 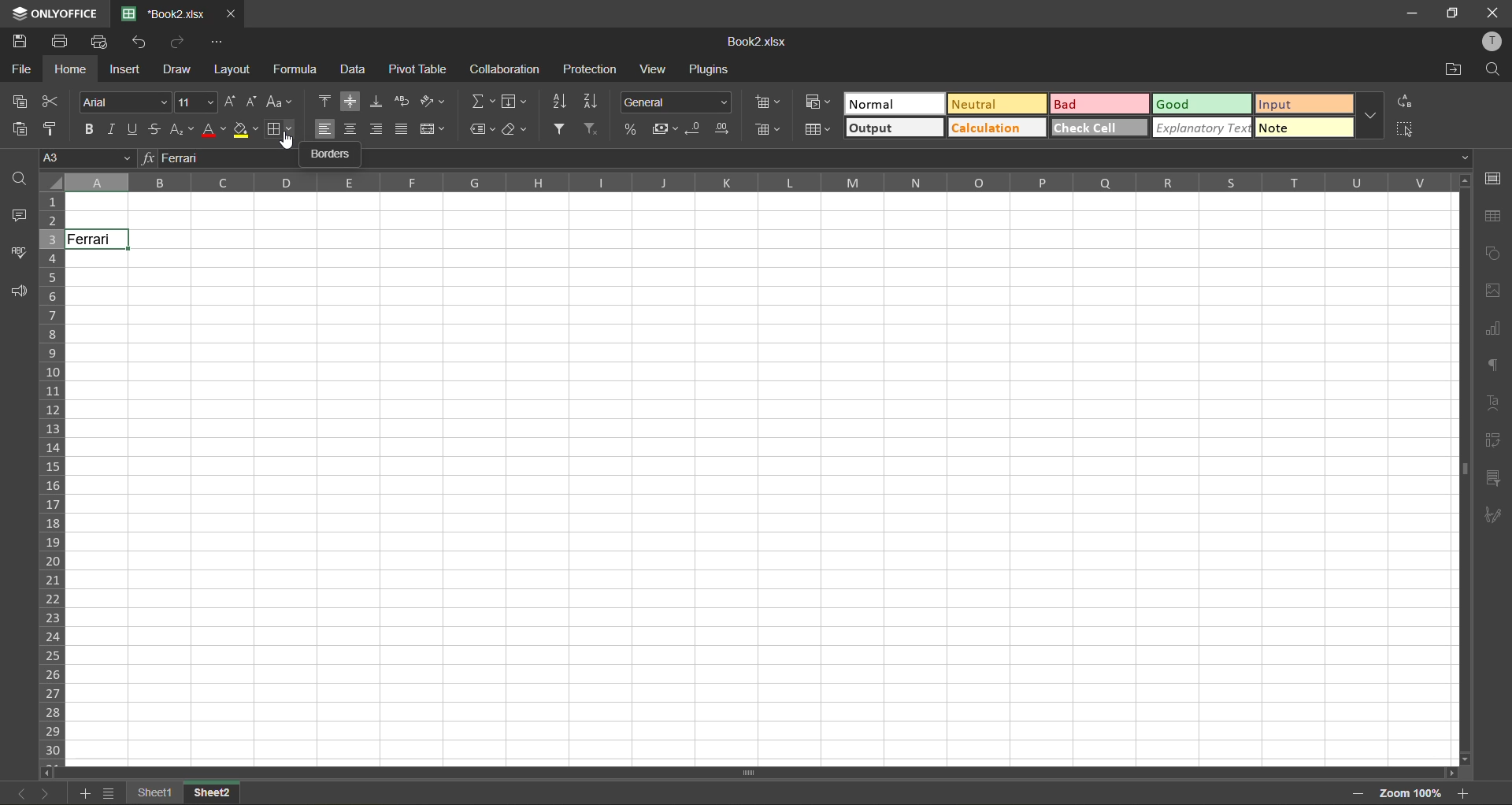 I want to click on minimize, so click(x=1419, y=14).